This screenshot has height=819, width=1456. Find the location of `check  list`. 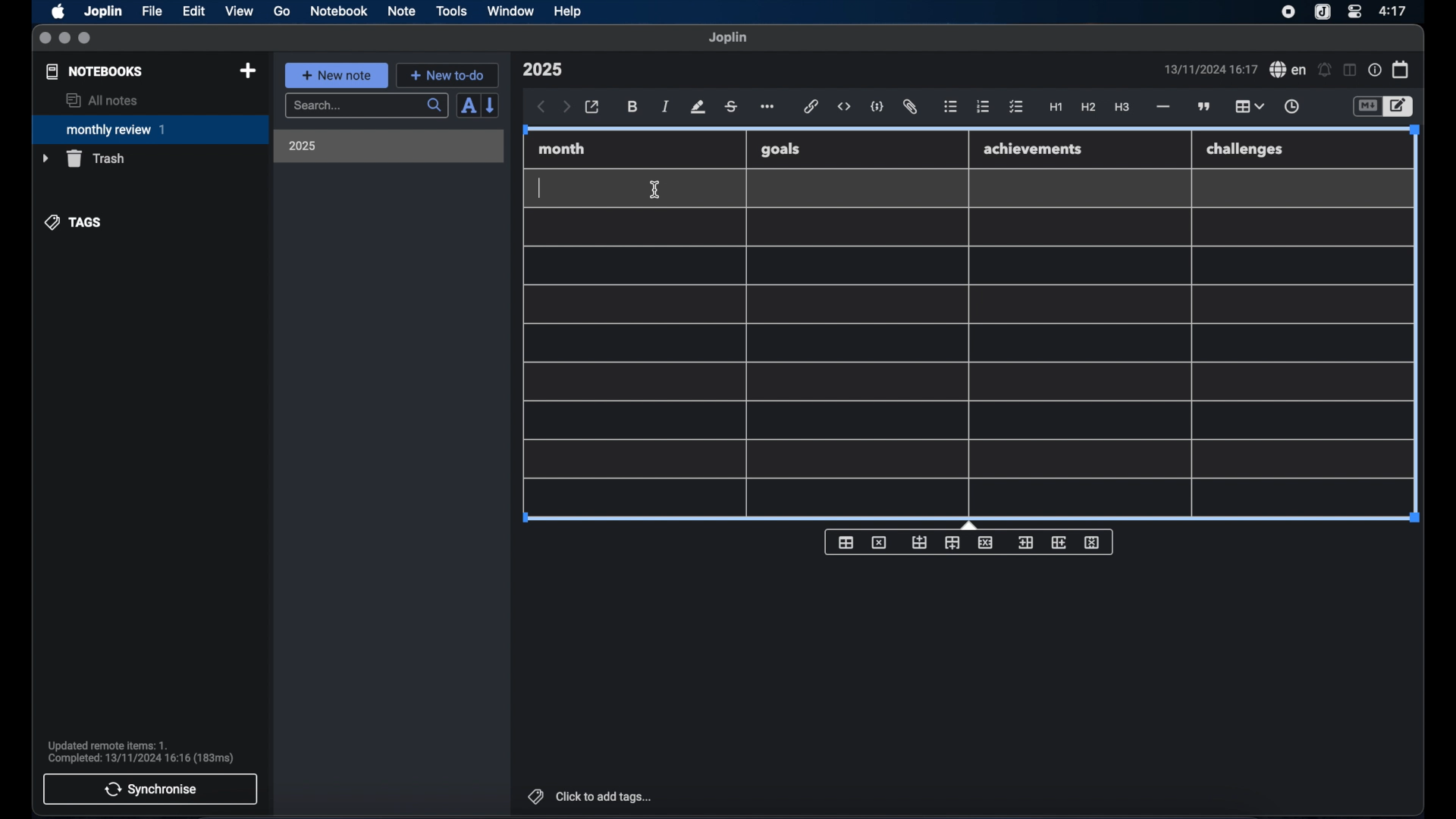

check  list is located at coordinates (1016, 108).